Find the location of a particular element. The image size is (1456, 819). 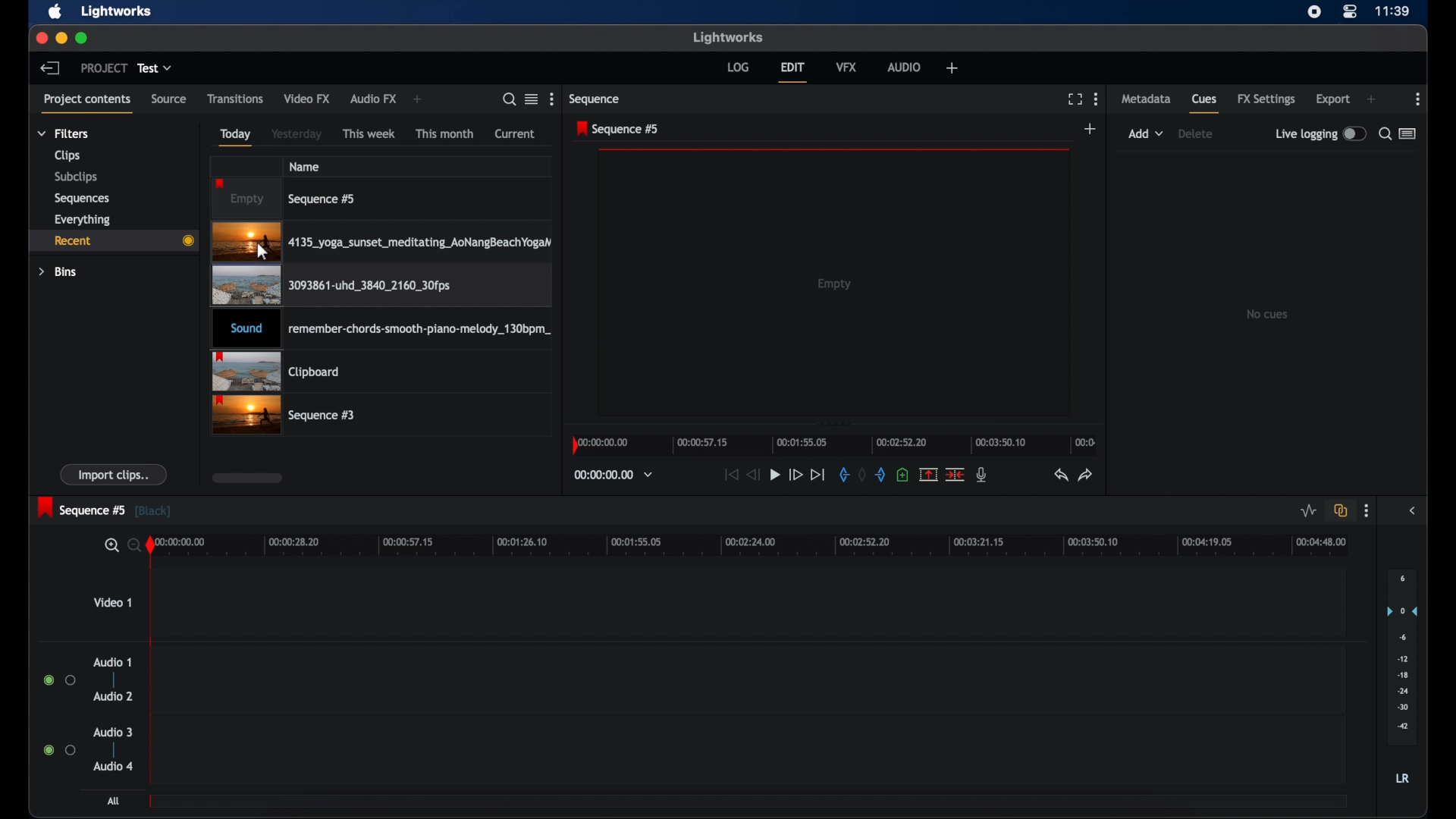

video clip is located at coordinates (381, 243).